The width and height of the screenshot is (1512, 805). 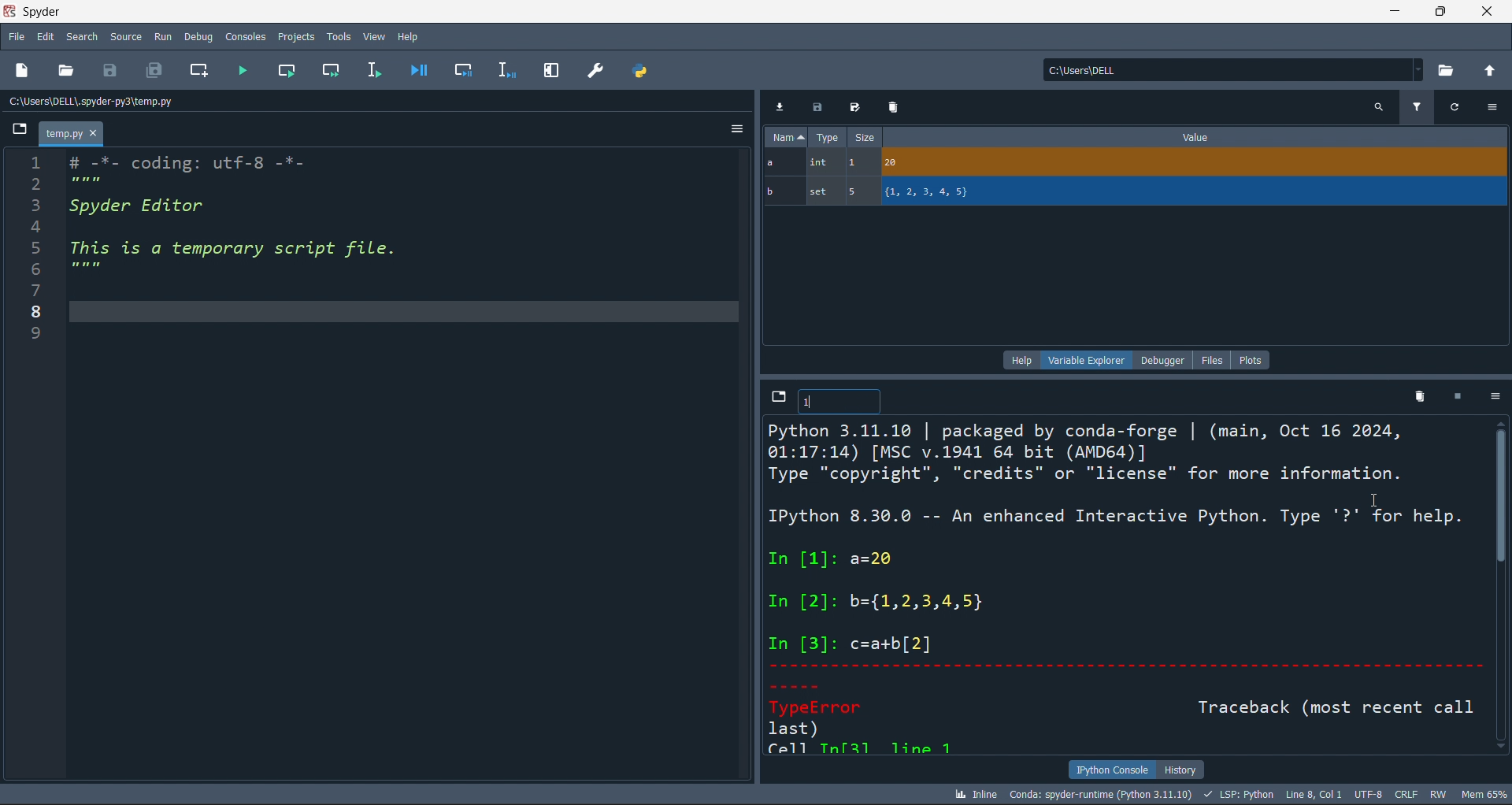 What do you see at coordinates (1136, 193) in the screenshot?
I see `b, set, 5, {1,2,3,4,5}` at bounding box center [1136, 193].